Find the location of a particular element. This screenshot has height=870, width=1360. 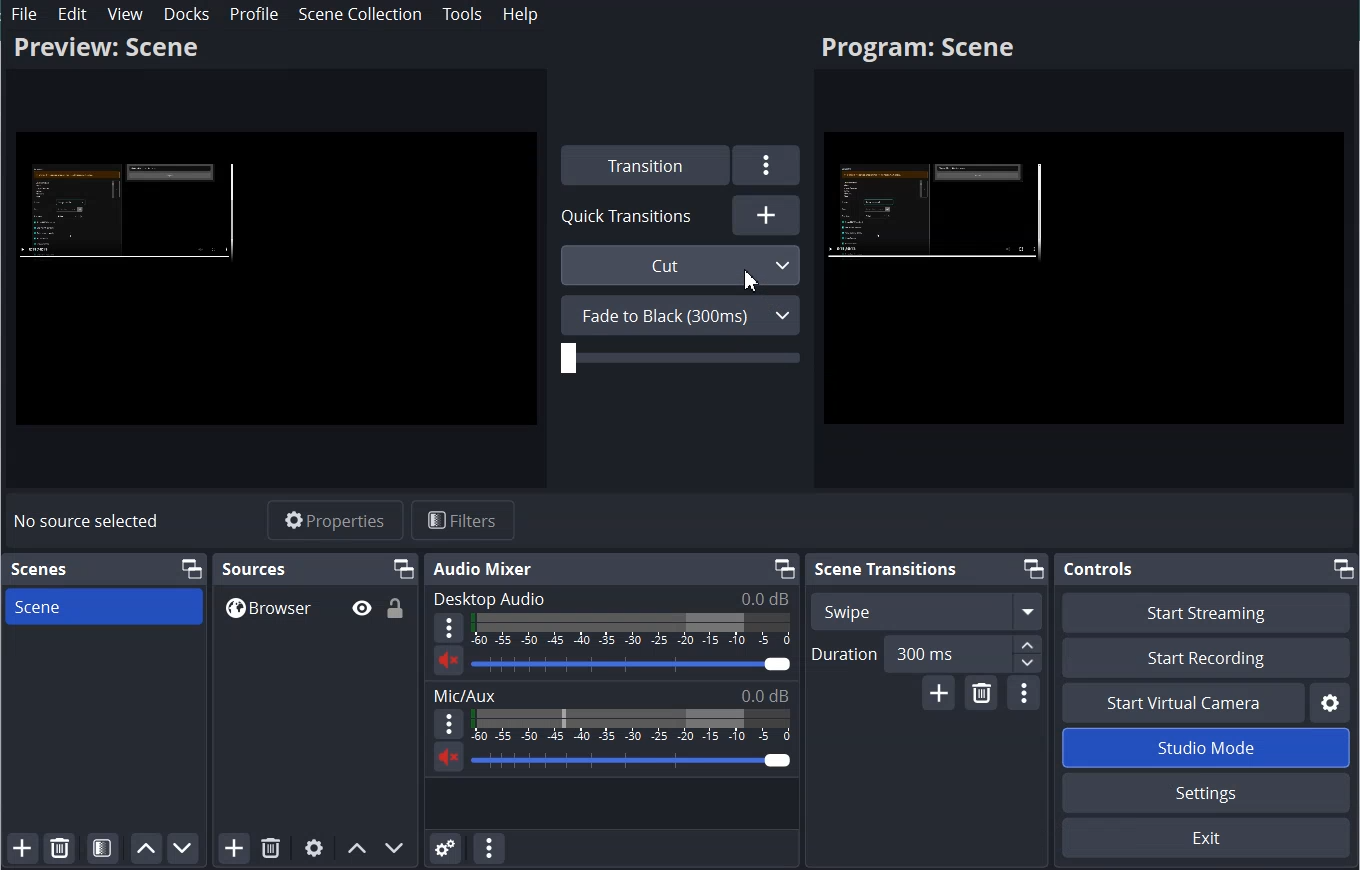

Settings is located at coordinates (767, 165).